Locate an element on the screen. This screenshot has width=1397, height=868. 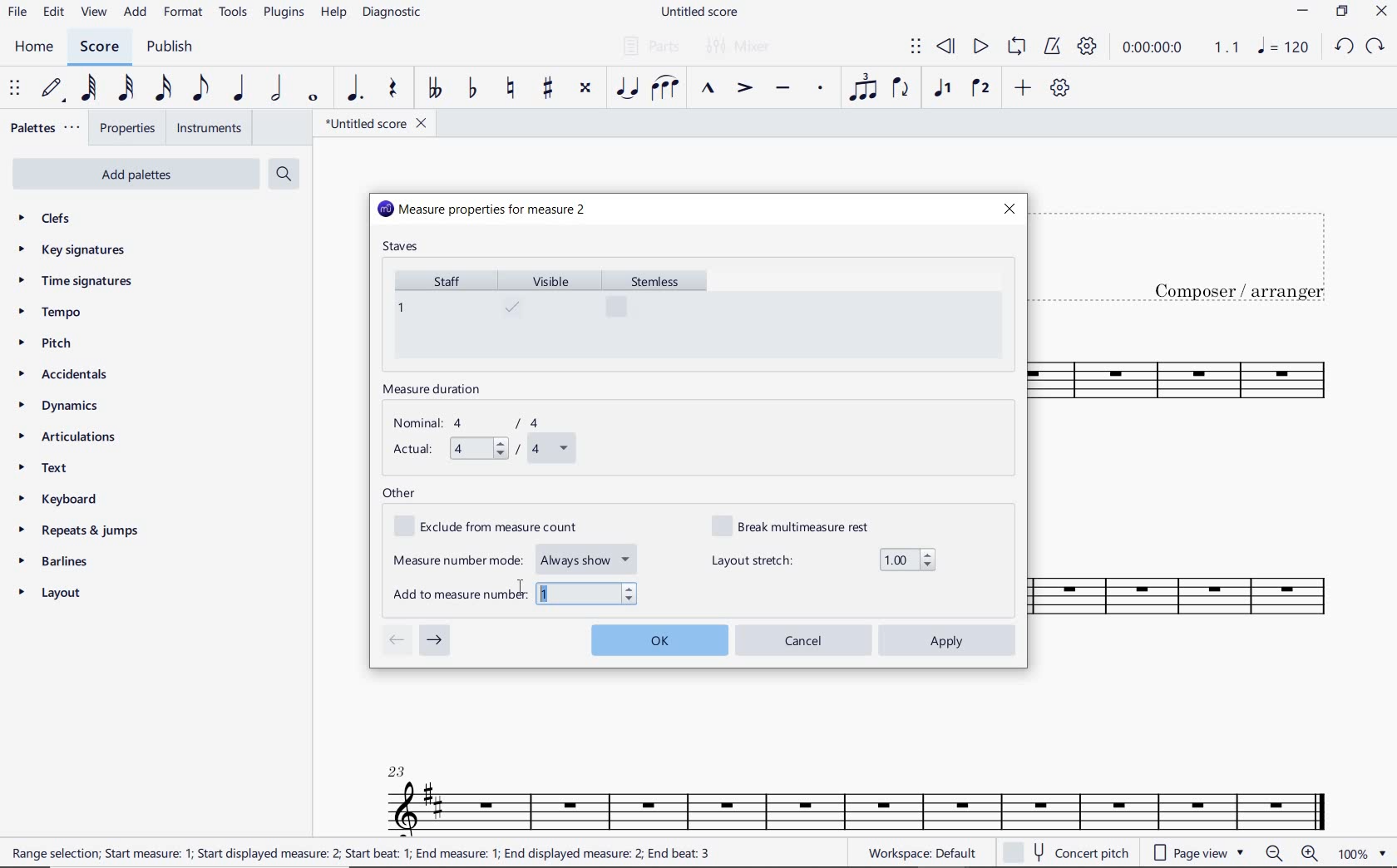
VOICE 2 is located at coordinates (981, 89).